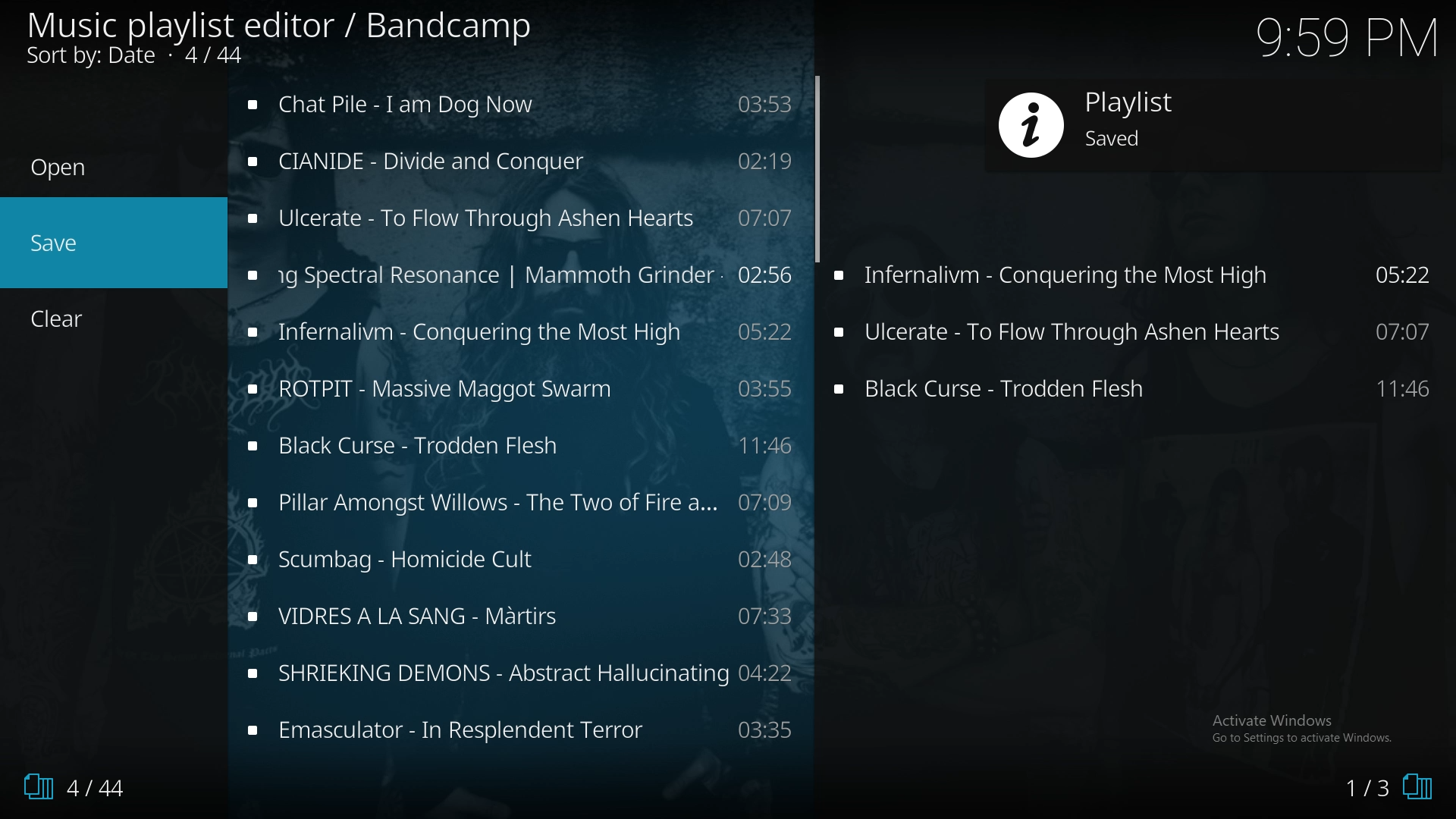 The image size is (1456, 819). What do you see at coordinates (1137, 391) in the screenshot?
I see `Ulcerate - To Flow Through Ashen Hearts 07:07` at bounding box center [1137, 391].